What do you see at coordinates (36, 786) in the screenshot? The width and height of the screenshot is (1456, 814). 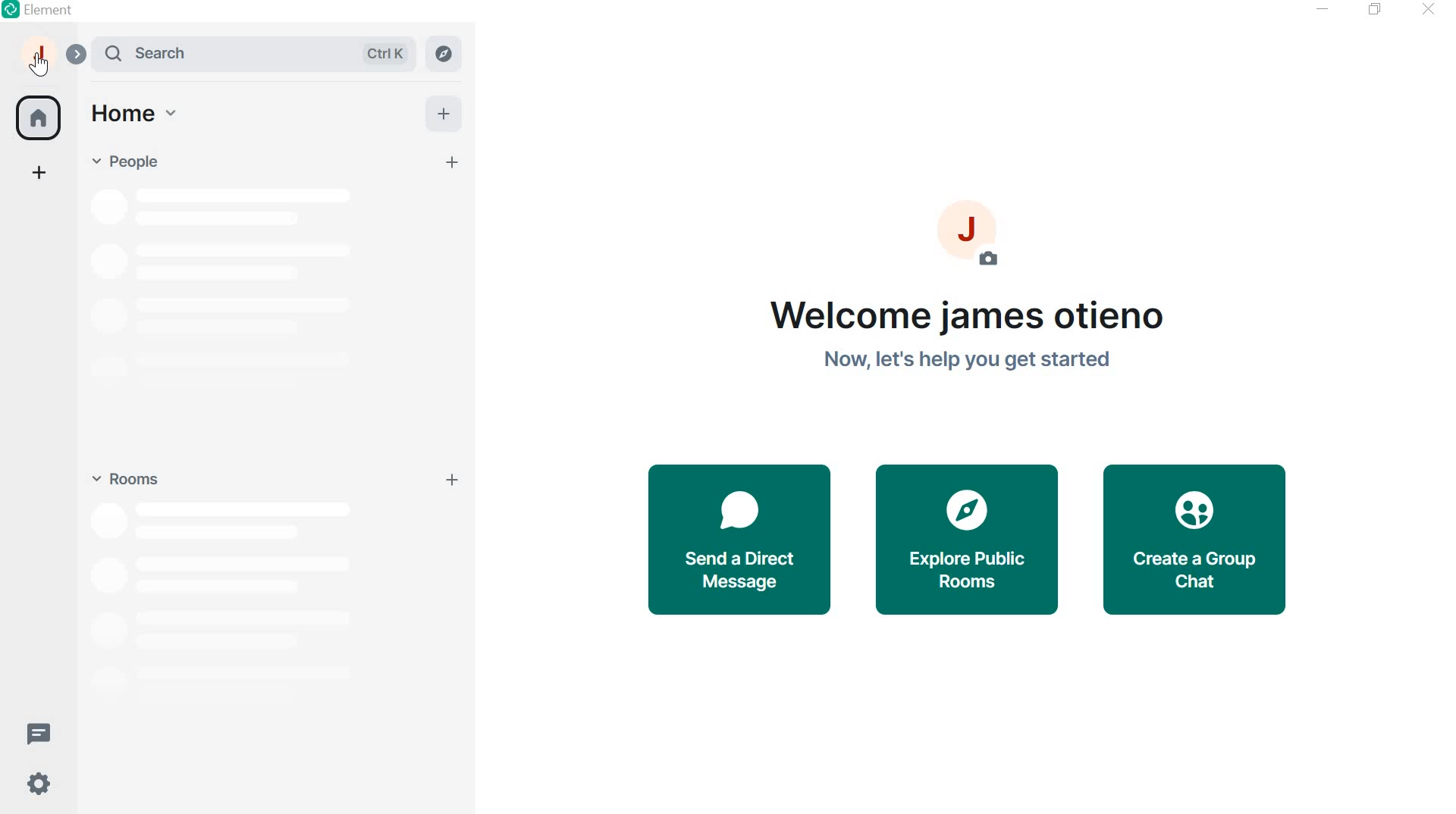 I see `QUICK SETTINGS` at bounding box center [36, 786].